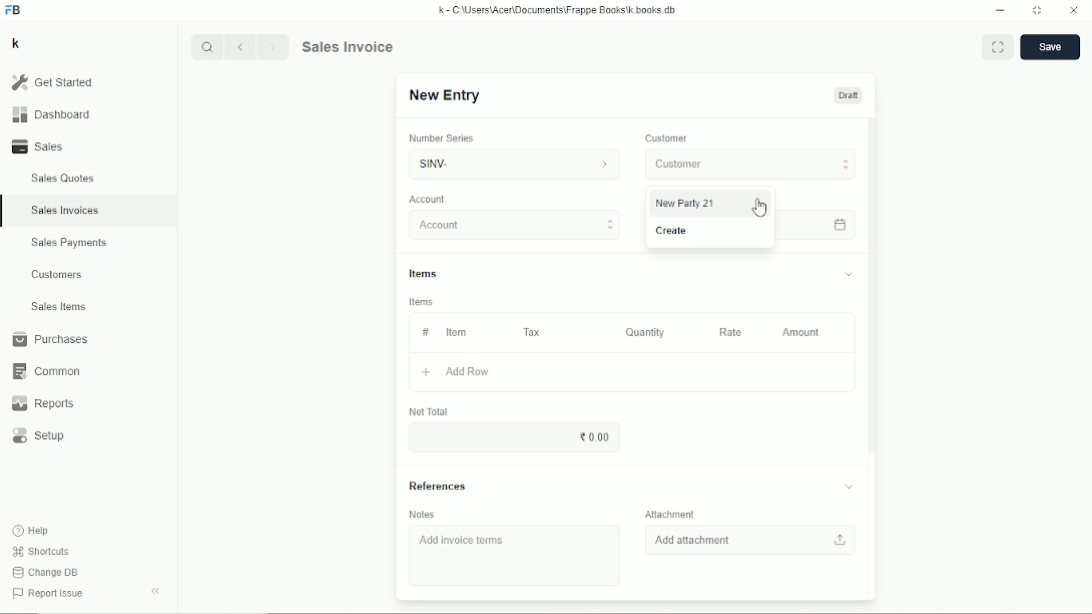 This screenshot has width=1092, height=614. I want to click on Change DB, so click(45, 573).